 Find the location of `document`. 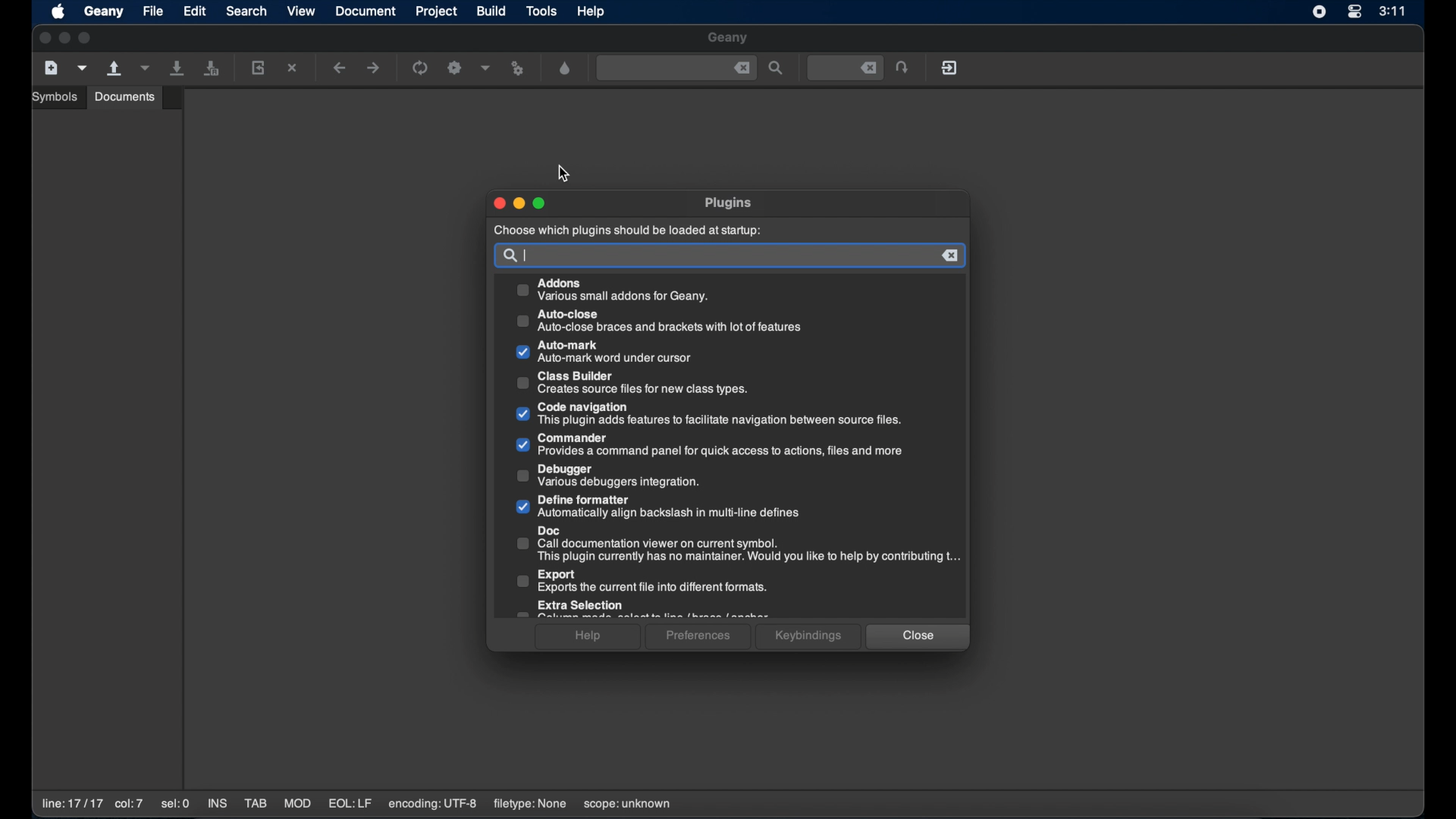

document is located at coordinates (366, 11).